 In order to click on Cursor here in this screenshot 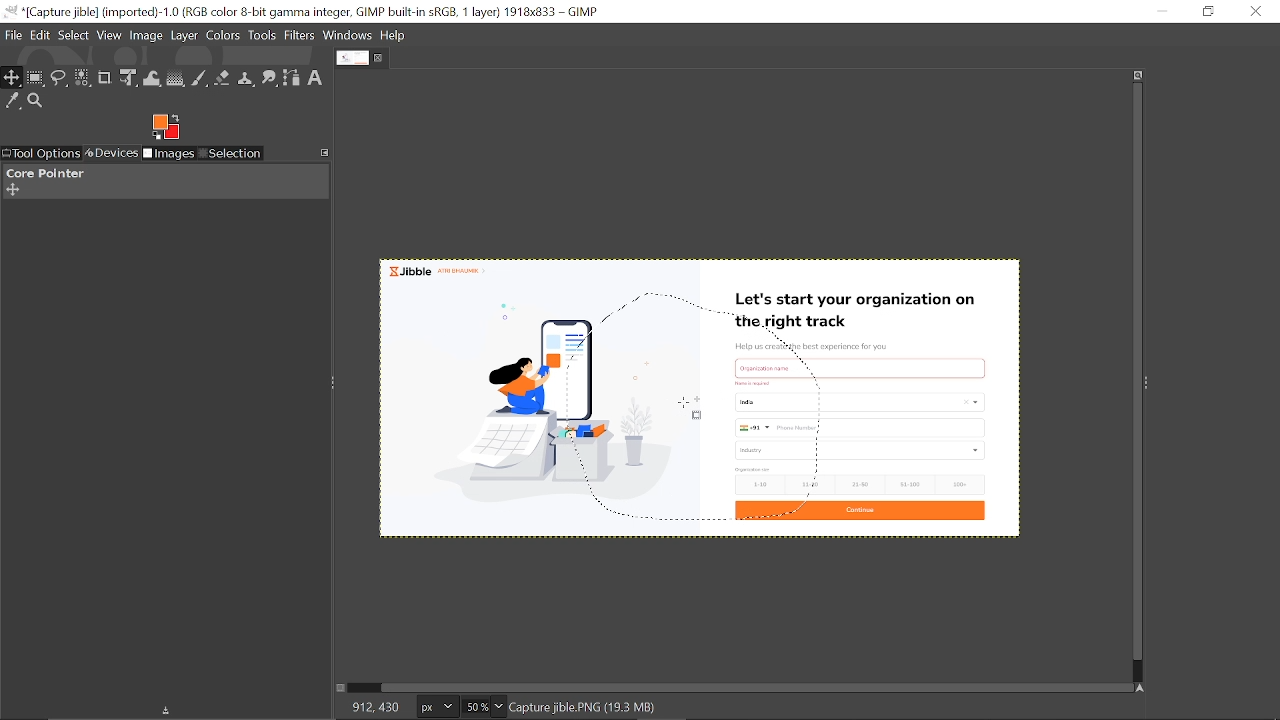, I will do `click(692, 404)`.